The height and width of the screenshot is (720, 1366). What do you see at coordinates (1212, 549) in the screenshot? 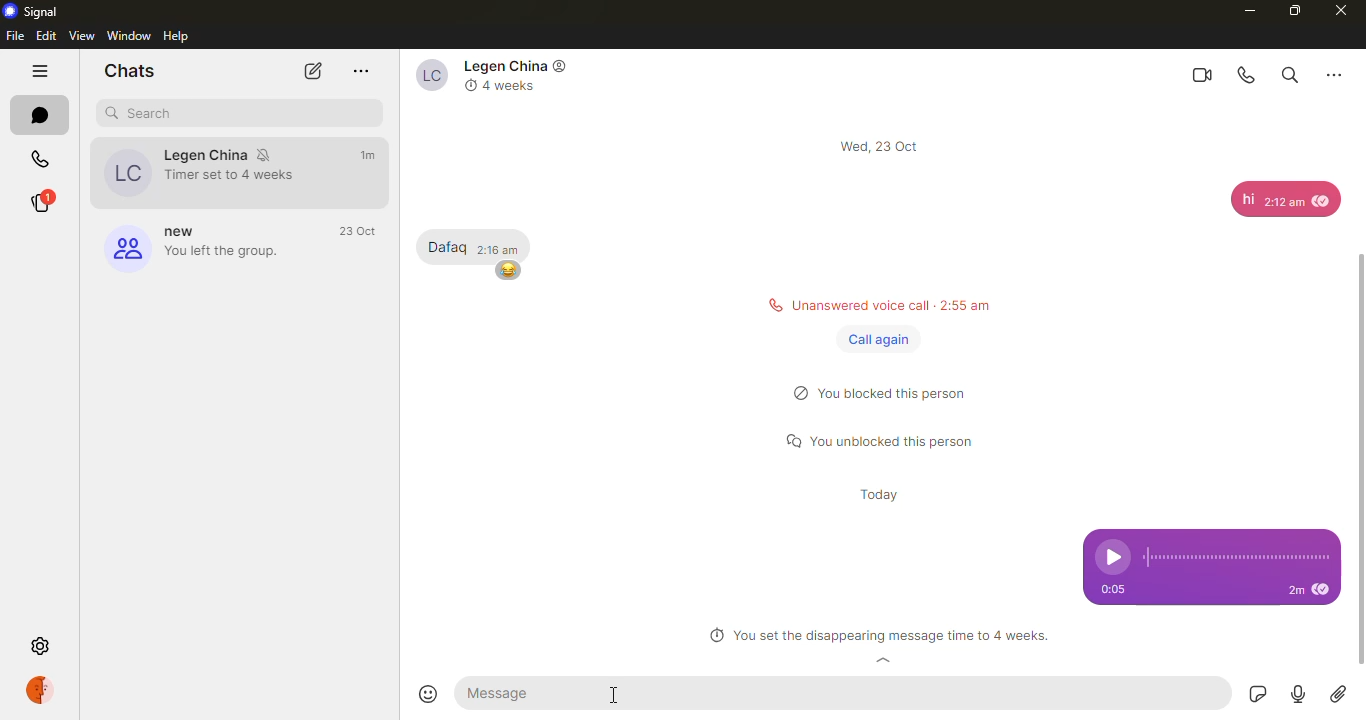
I see `voice message` at bounding box center [1212, 549].